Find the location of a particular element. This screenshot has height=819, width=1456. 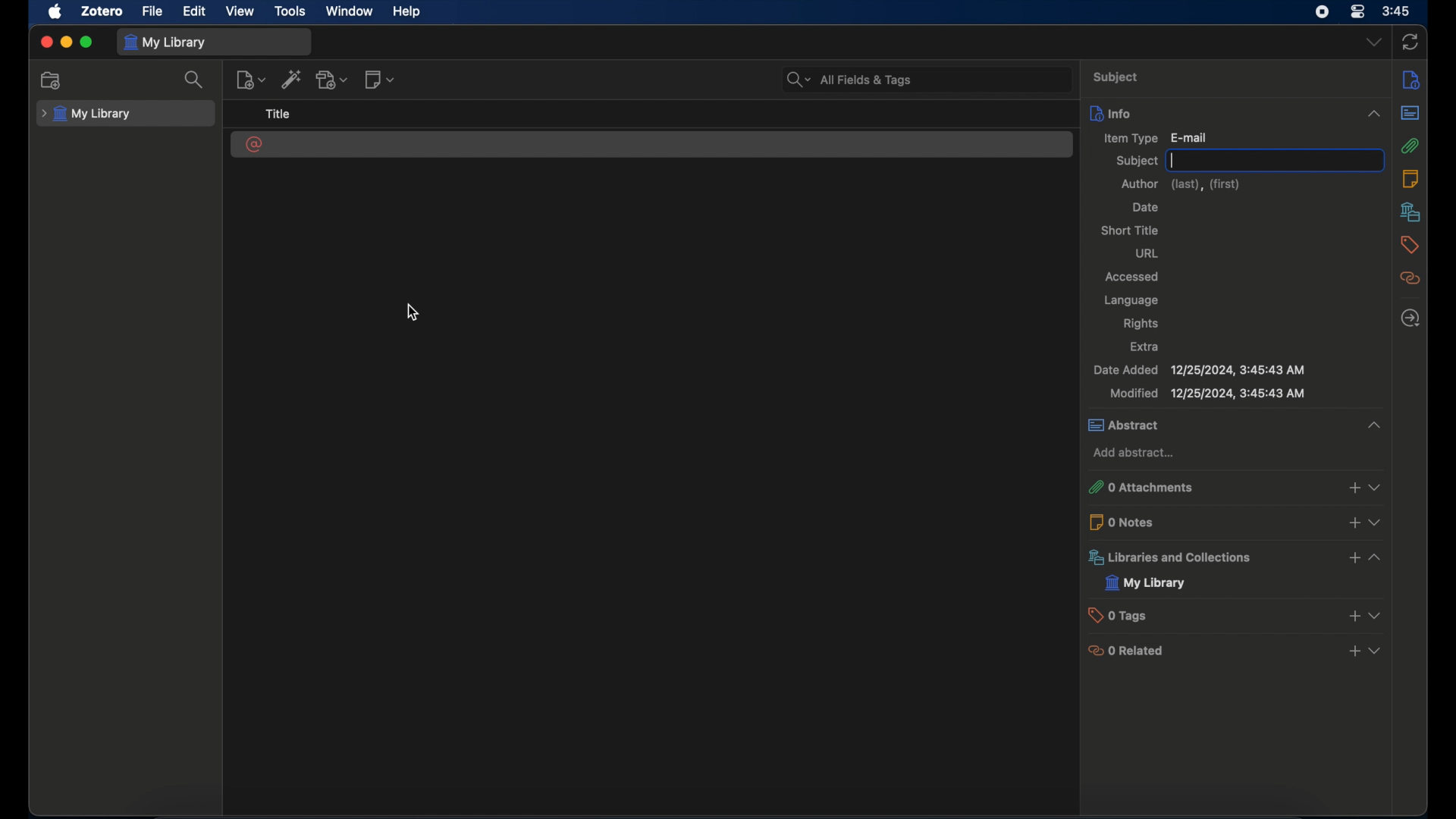

0 attachments is located at coordinates (1237, 486).